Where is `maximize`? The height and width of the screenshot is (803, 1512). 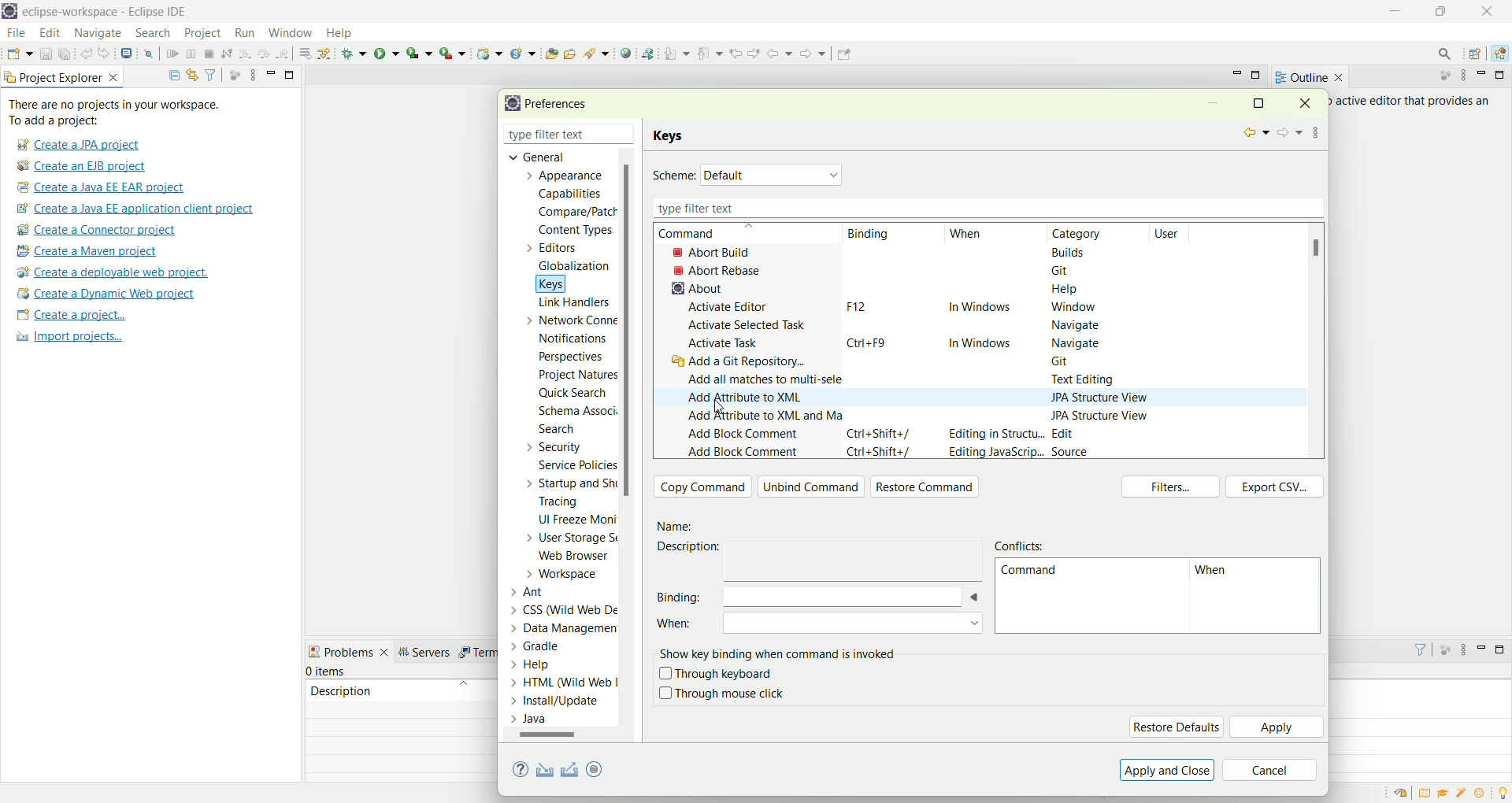
maximize is located at coordinates (1258, 76).